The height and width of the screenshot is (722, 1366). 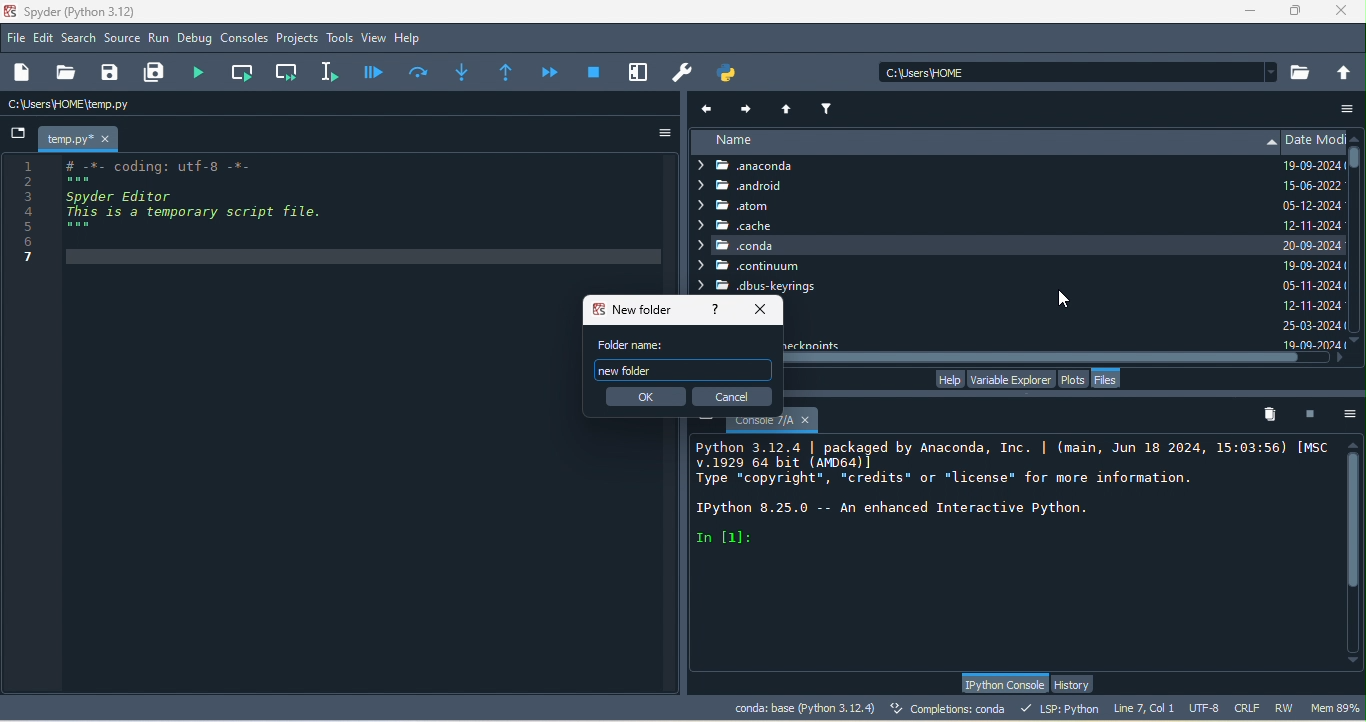 I want to click on conda, so click(x=983, y=245).